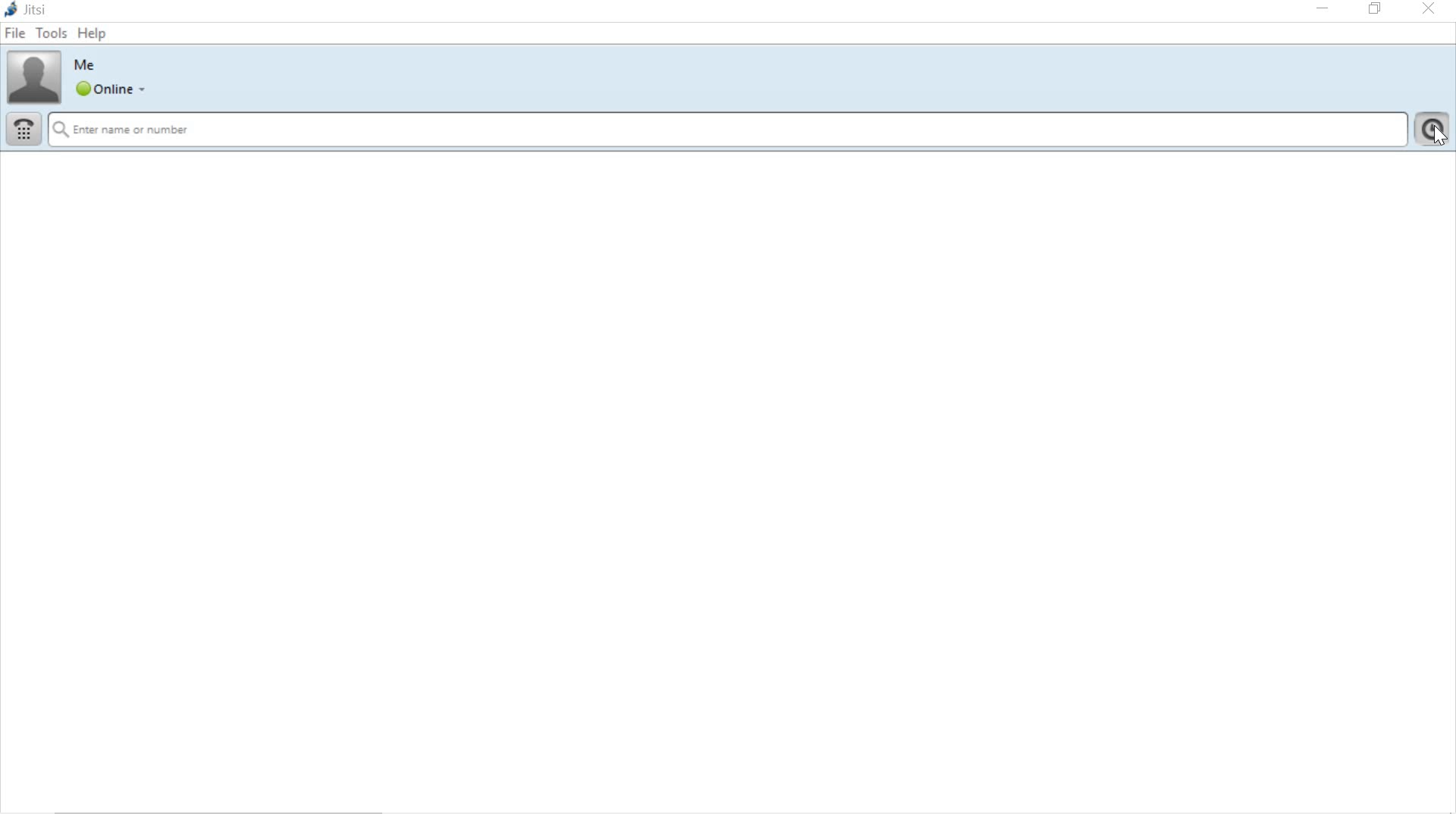 The width and height of the screenshot is (1456, 814). I want to click on account image, so click(33, 77).